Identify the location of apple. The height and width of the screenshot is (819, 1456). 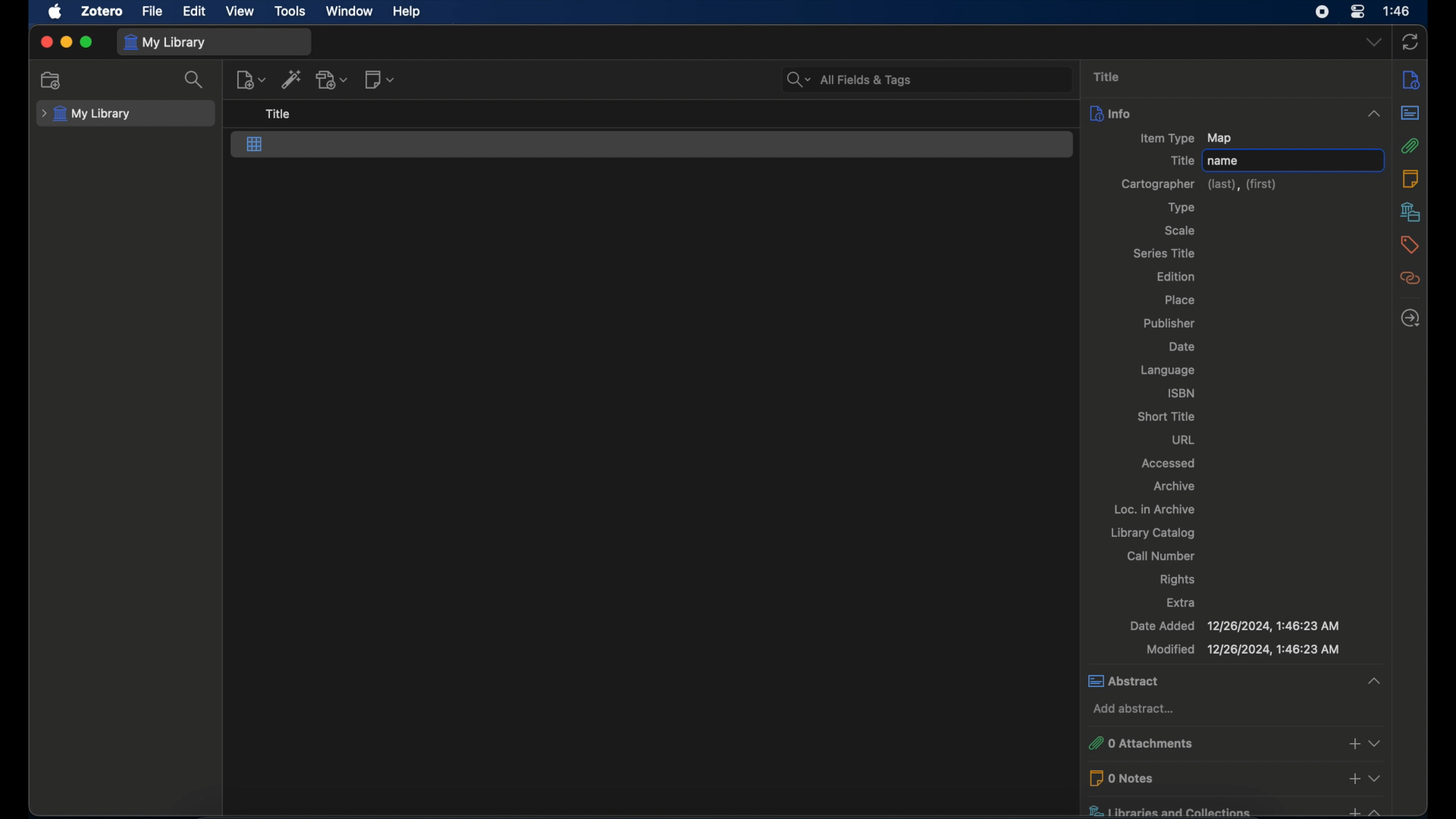
(54, 12).